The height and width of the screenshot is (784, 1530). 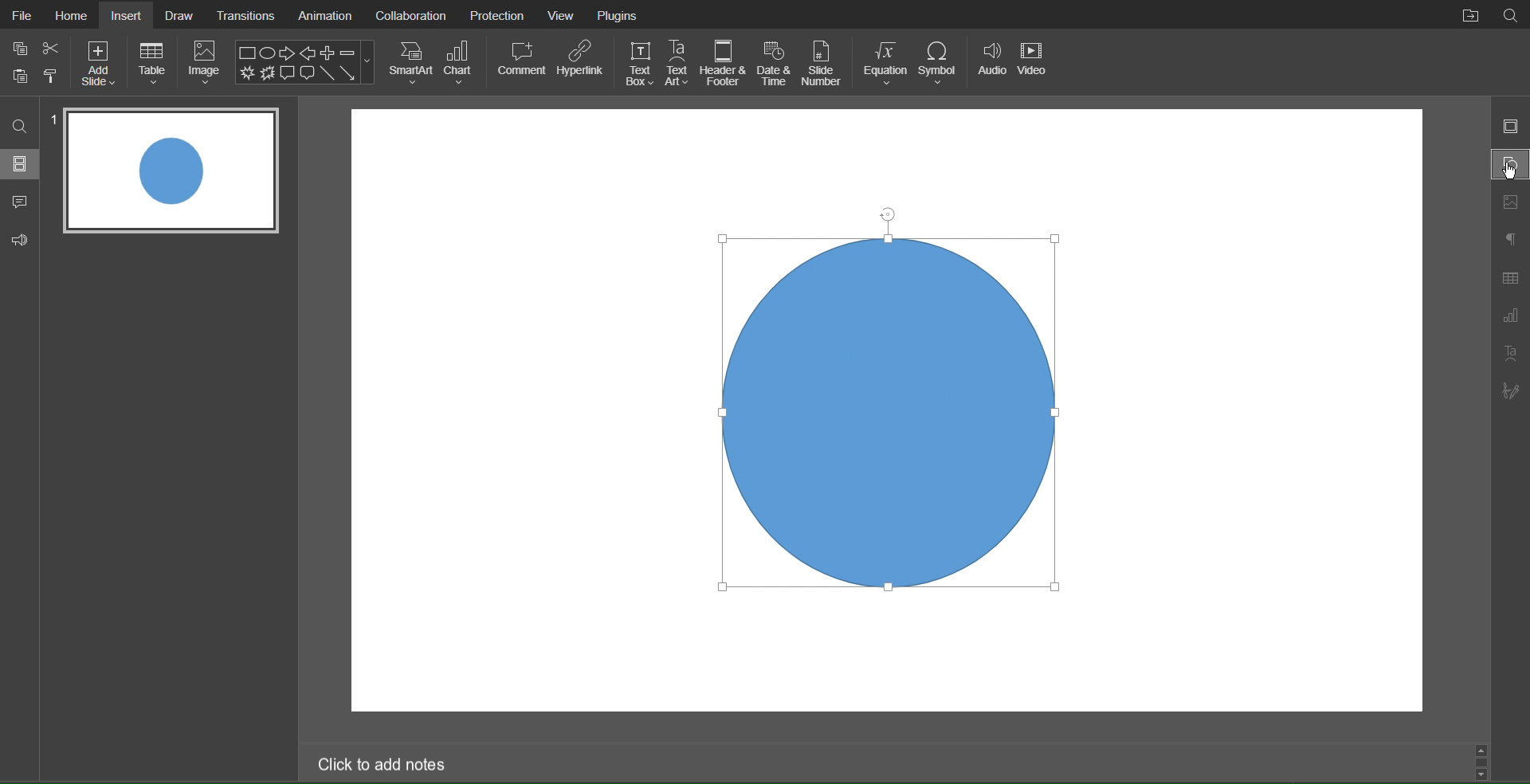 I want to click on copy, so click(x=19, y=49).